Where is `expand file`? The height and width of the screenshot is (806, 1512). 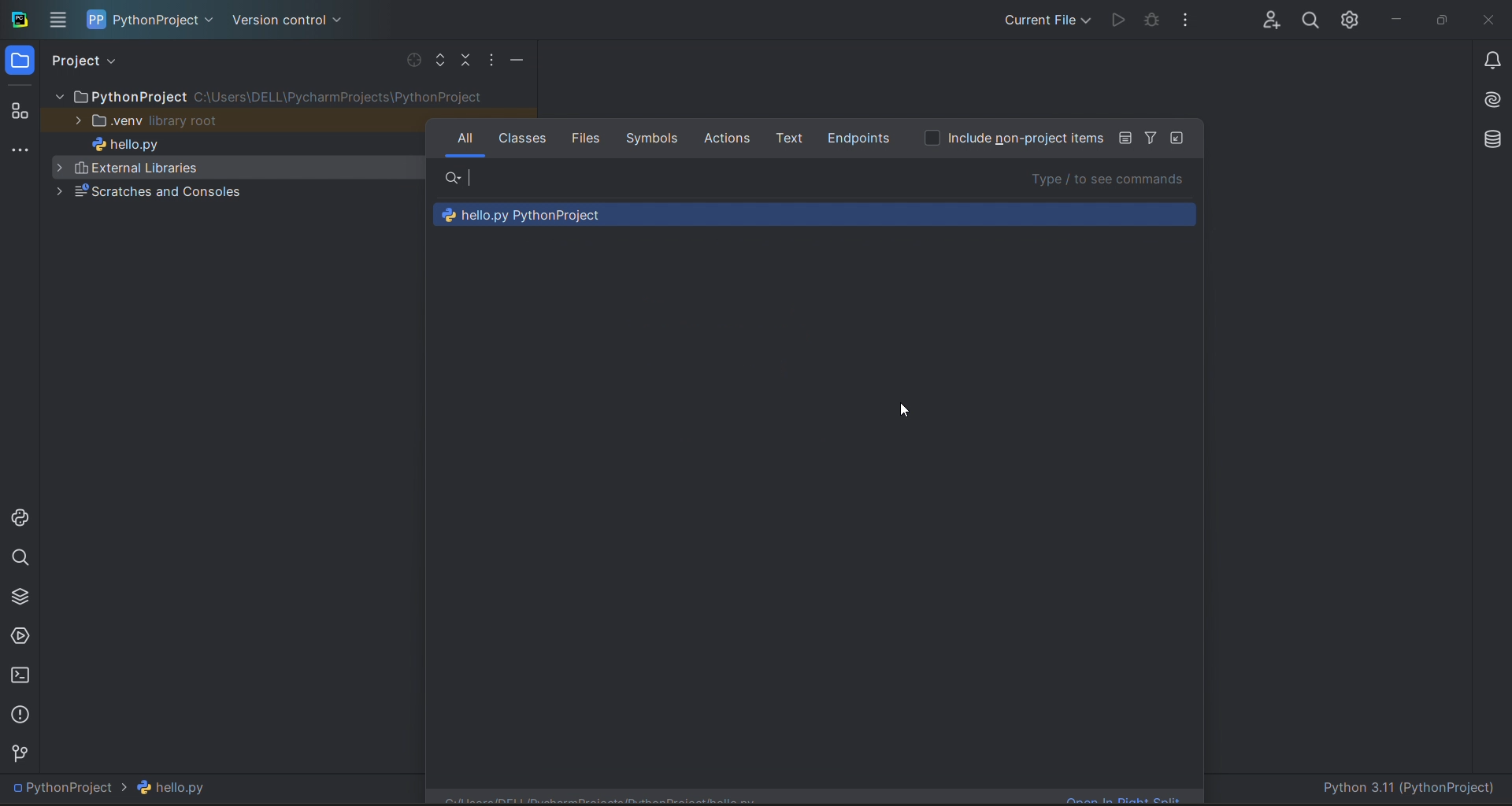
expand file is located at coordinates (440, 60).